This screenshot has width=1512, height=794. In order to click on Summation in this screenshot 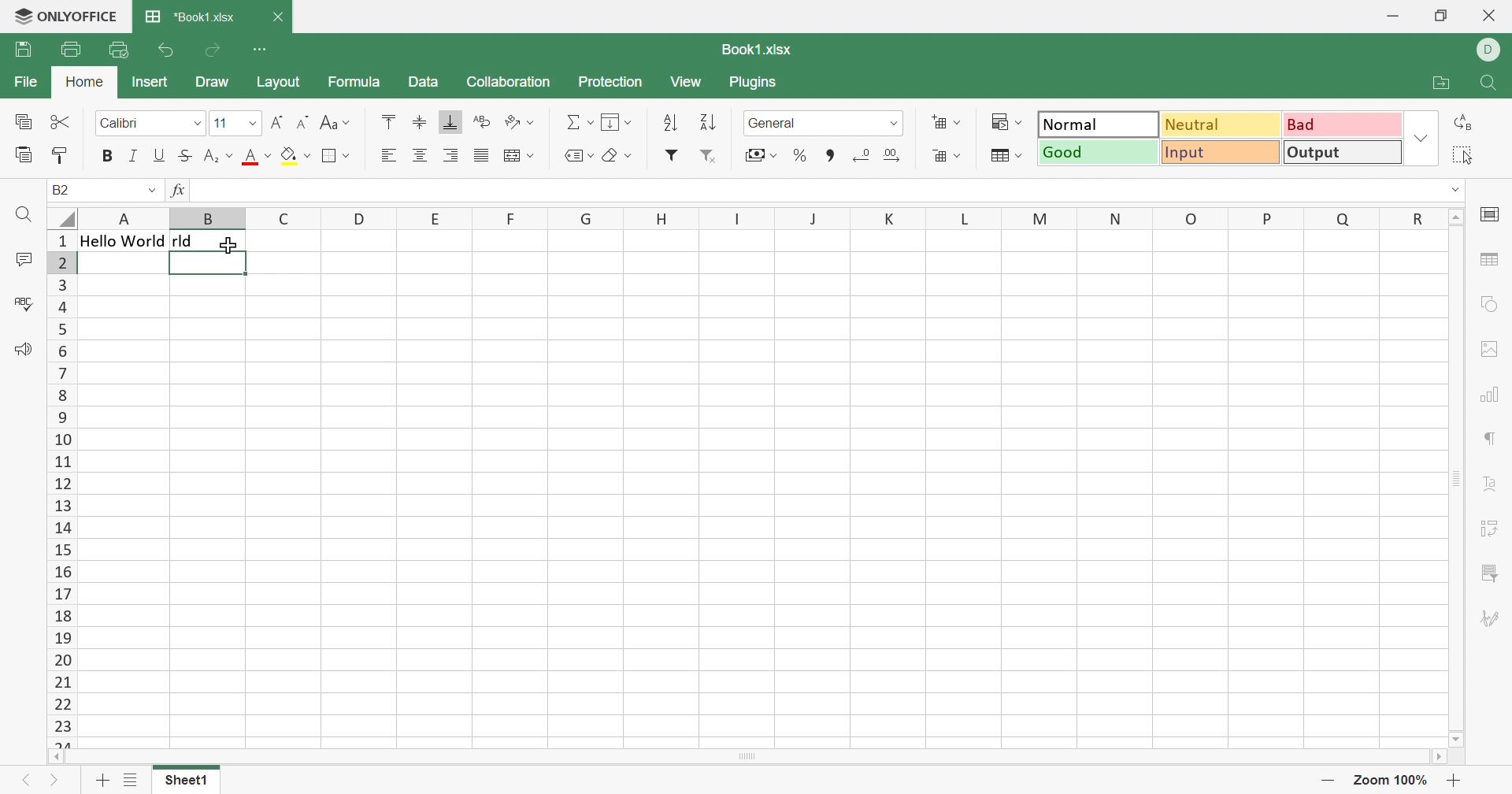, I will do `click(580, 124)`.